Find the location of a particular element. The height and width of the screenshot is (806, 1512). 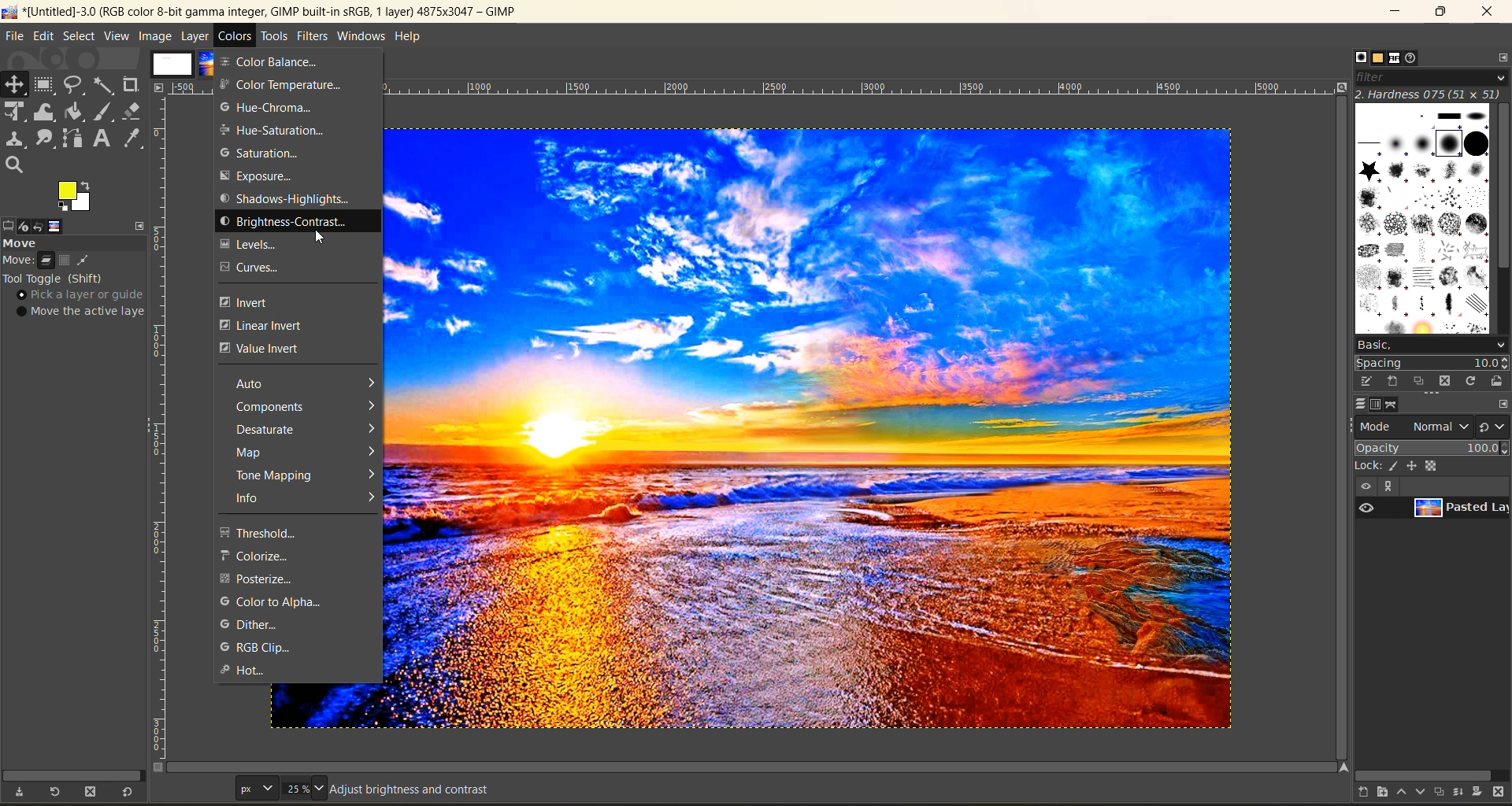

add a mask is located at coordinates (1482, 794).